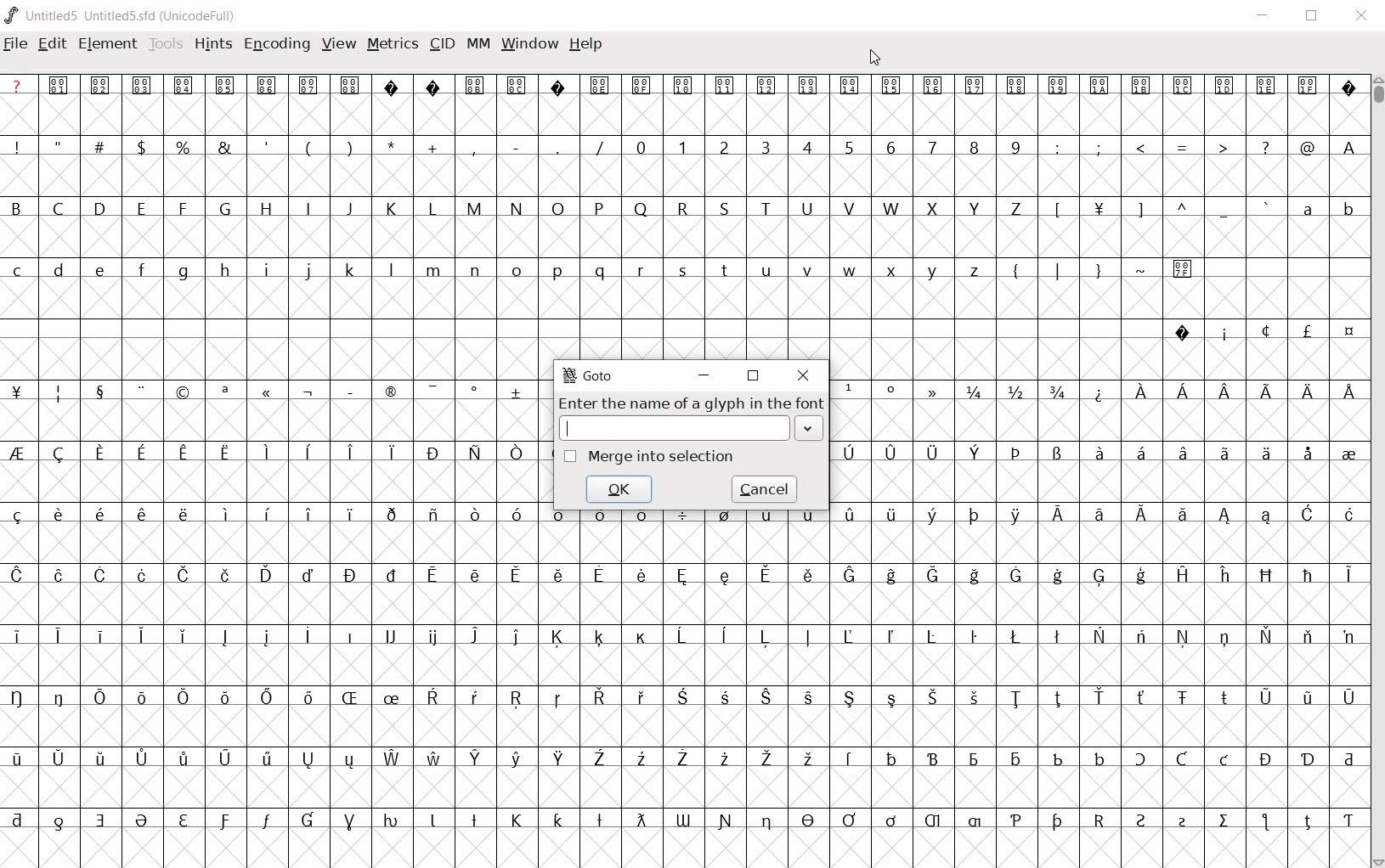 Image resolution: width=1385 pixels, height=868 pixels. Describe the element at coordinates (558, 699) in the screenshot. I see `Symbol` at that location.